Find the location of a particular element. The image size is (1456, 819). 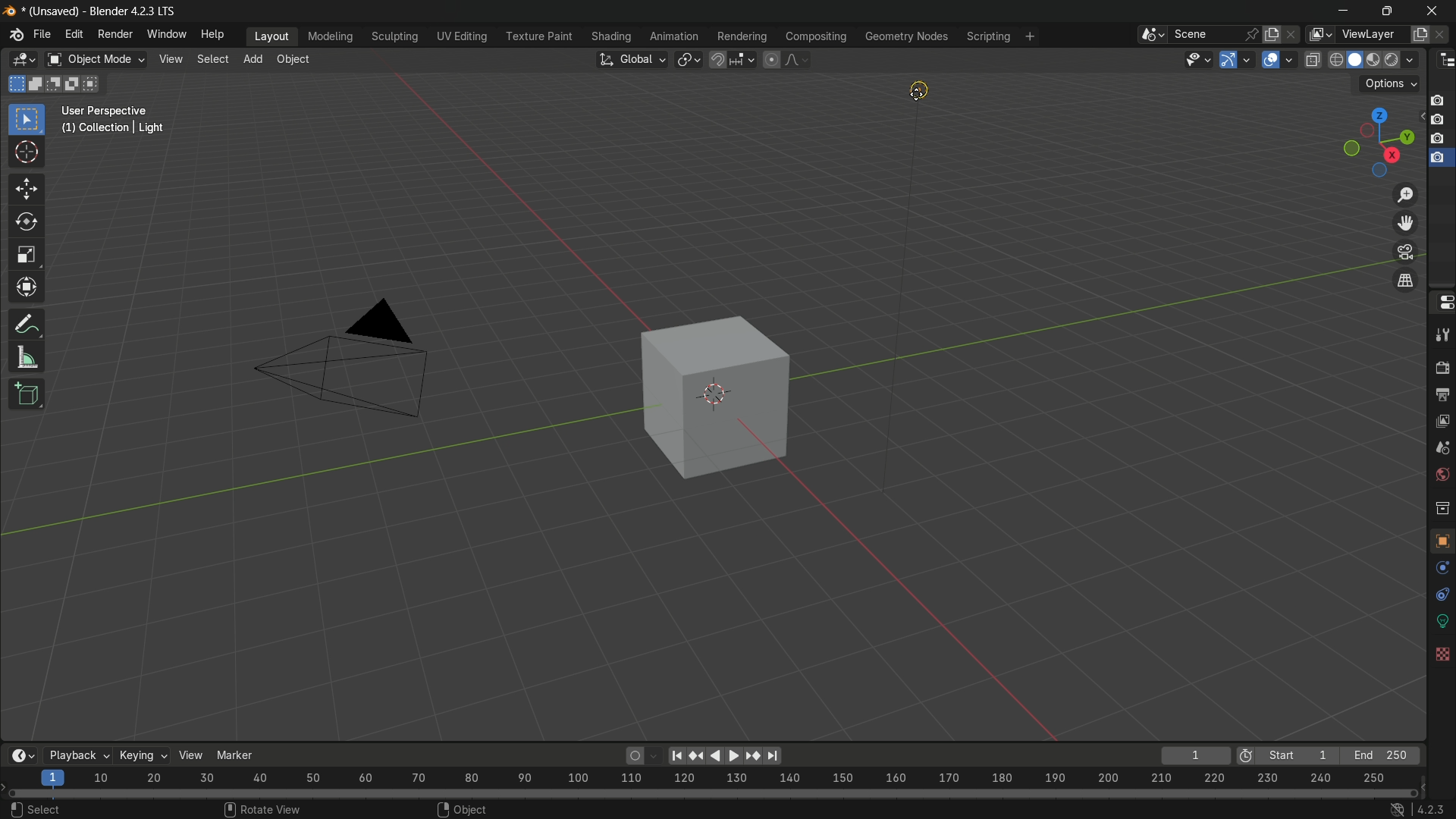

zoom in/out is located at coordinates (1405, 194).